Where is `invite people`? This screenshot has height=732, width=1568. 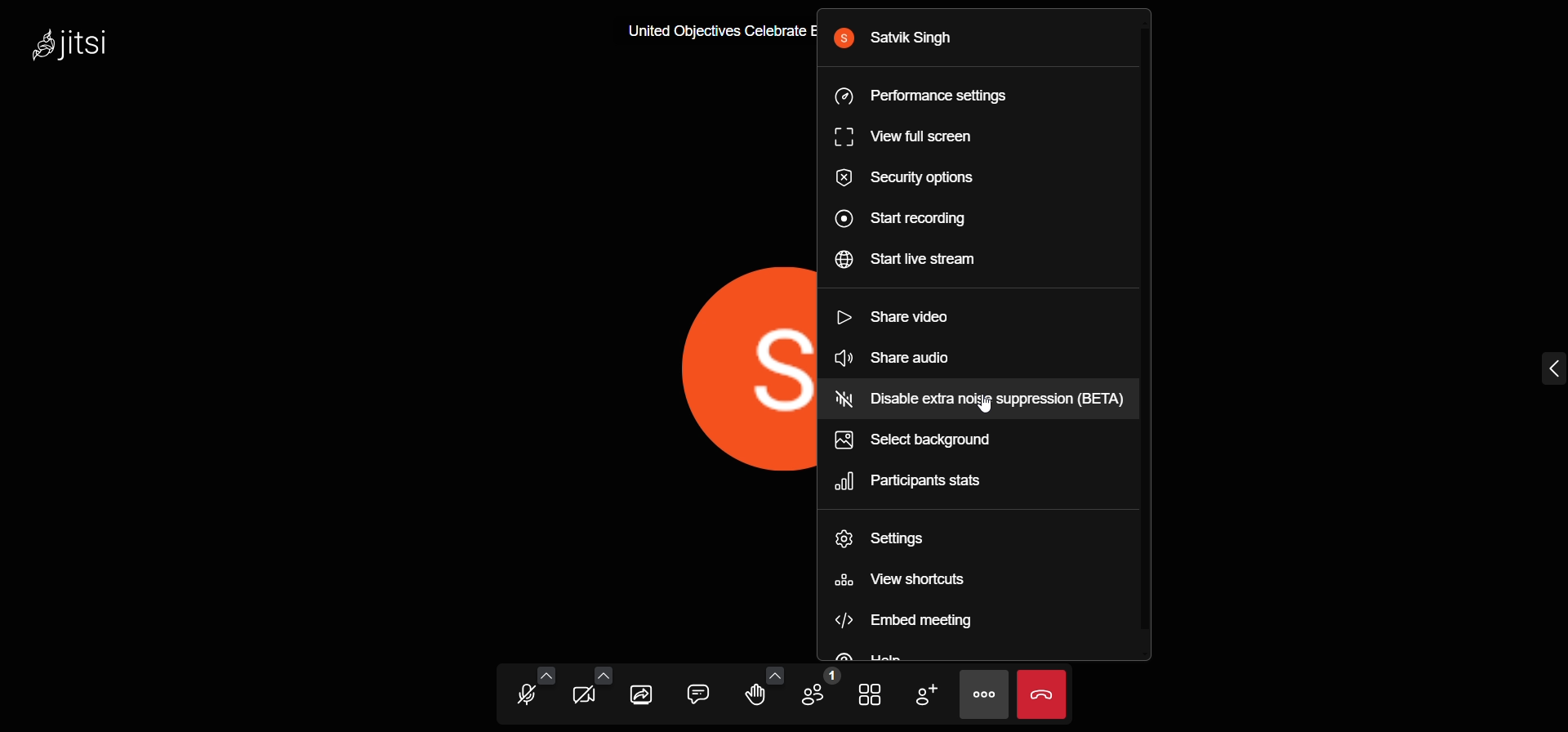
invite people is located at coordinates (925, 694).